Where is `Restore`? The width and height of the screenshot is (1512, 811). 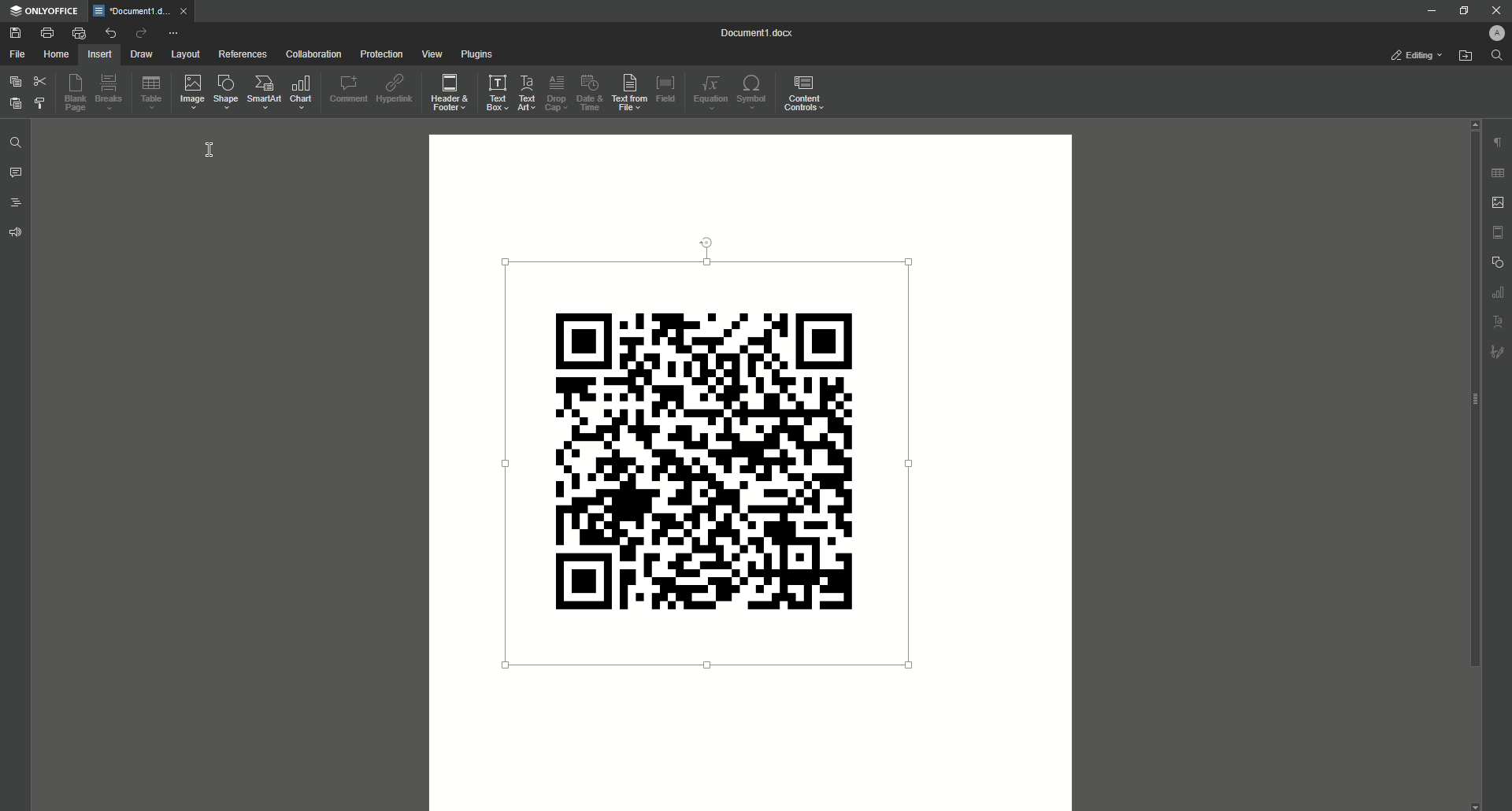 Restore is located at coordinates (1462, 9).